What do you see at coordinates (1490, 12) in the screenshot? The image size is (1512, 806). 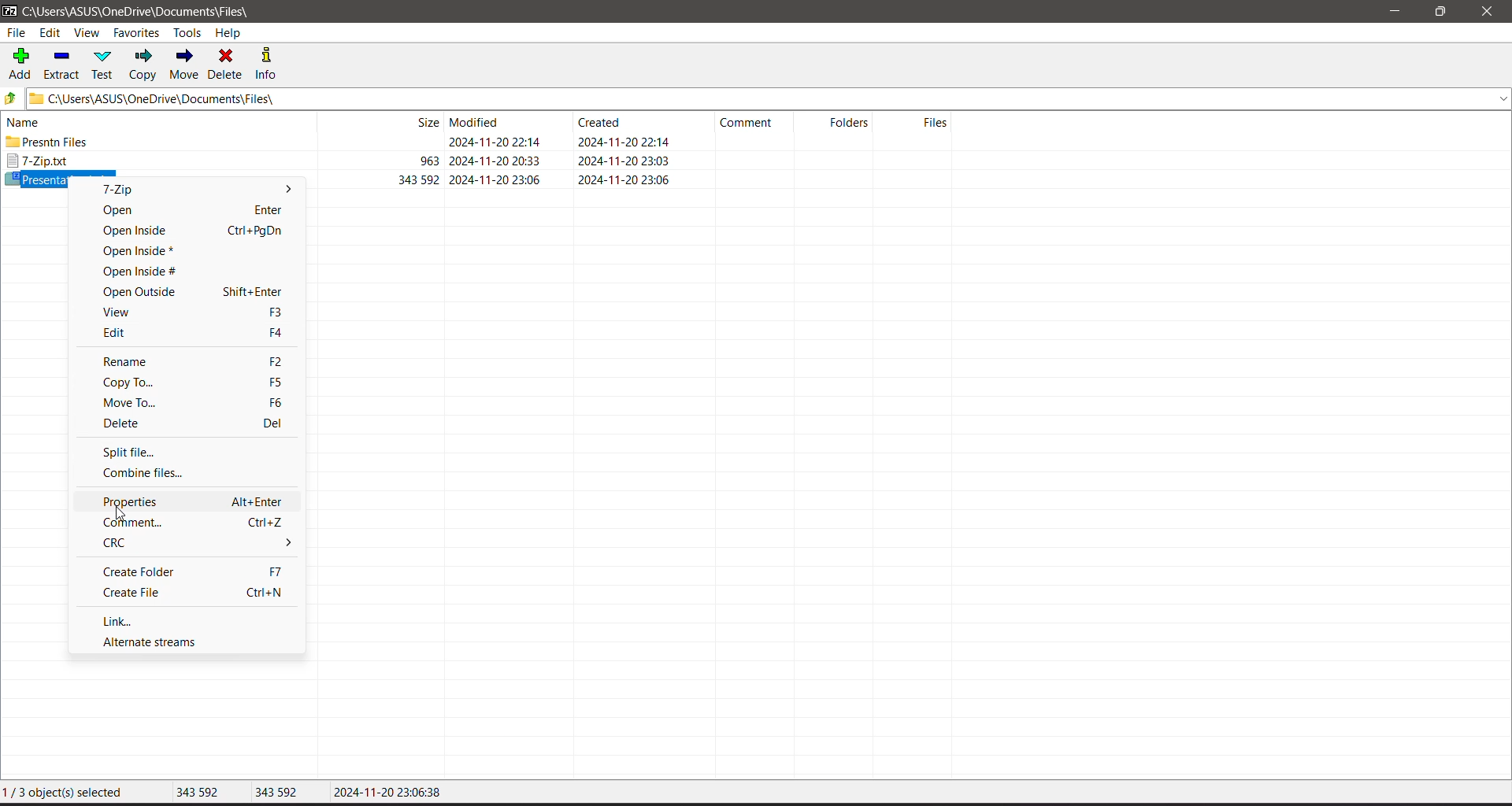 I see `Close` at bounding box center [1490, 12].